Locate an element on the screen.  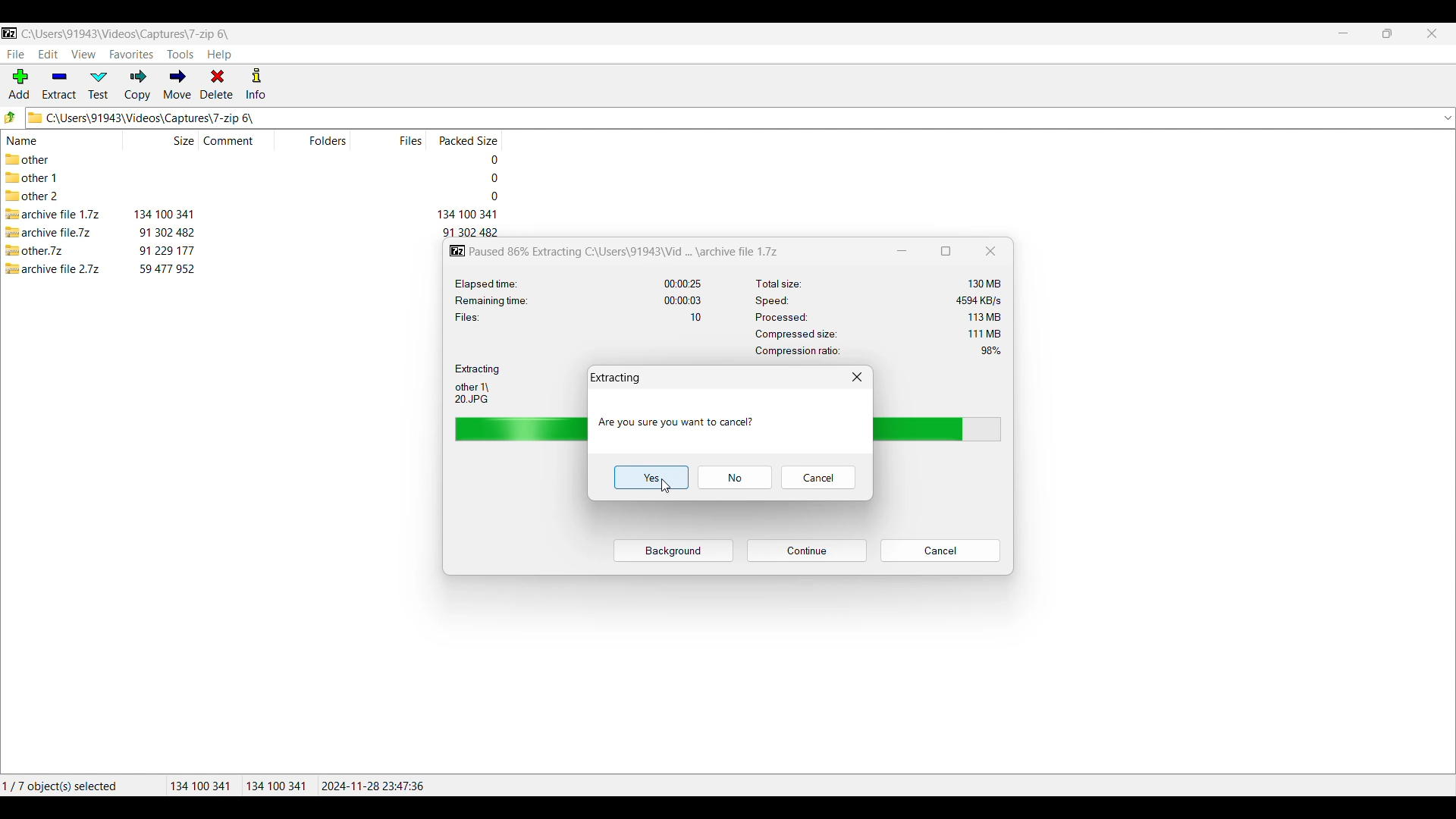
Compression ratio: 98% is located at coordinates (877, 351).